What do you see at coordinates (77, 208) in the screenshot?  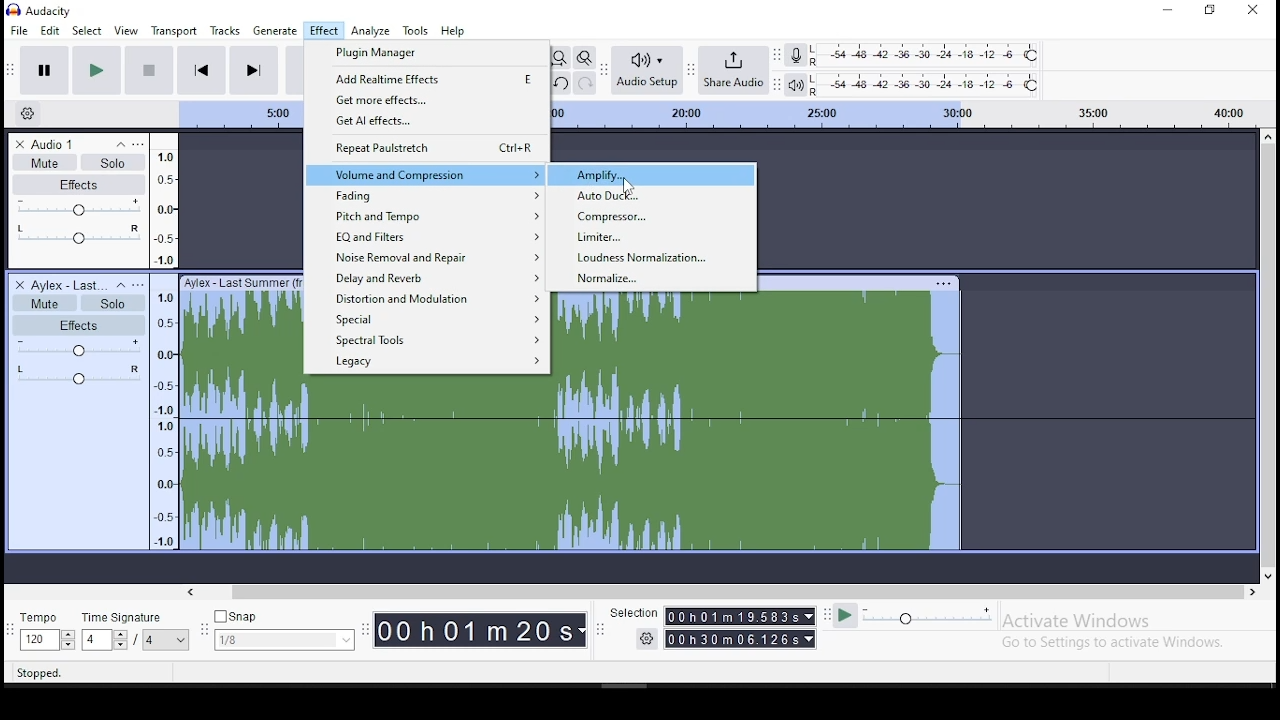 I see `volume` at bounding box center [77, 208].